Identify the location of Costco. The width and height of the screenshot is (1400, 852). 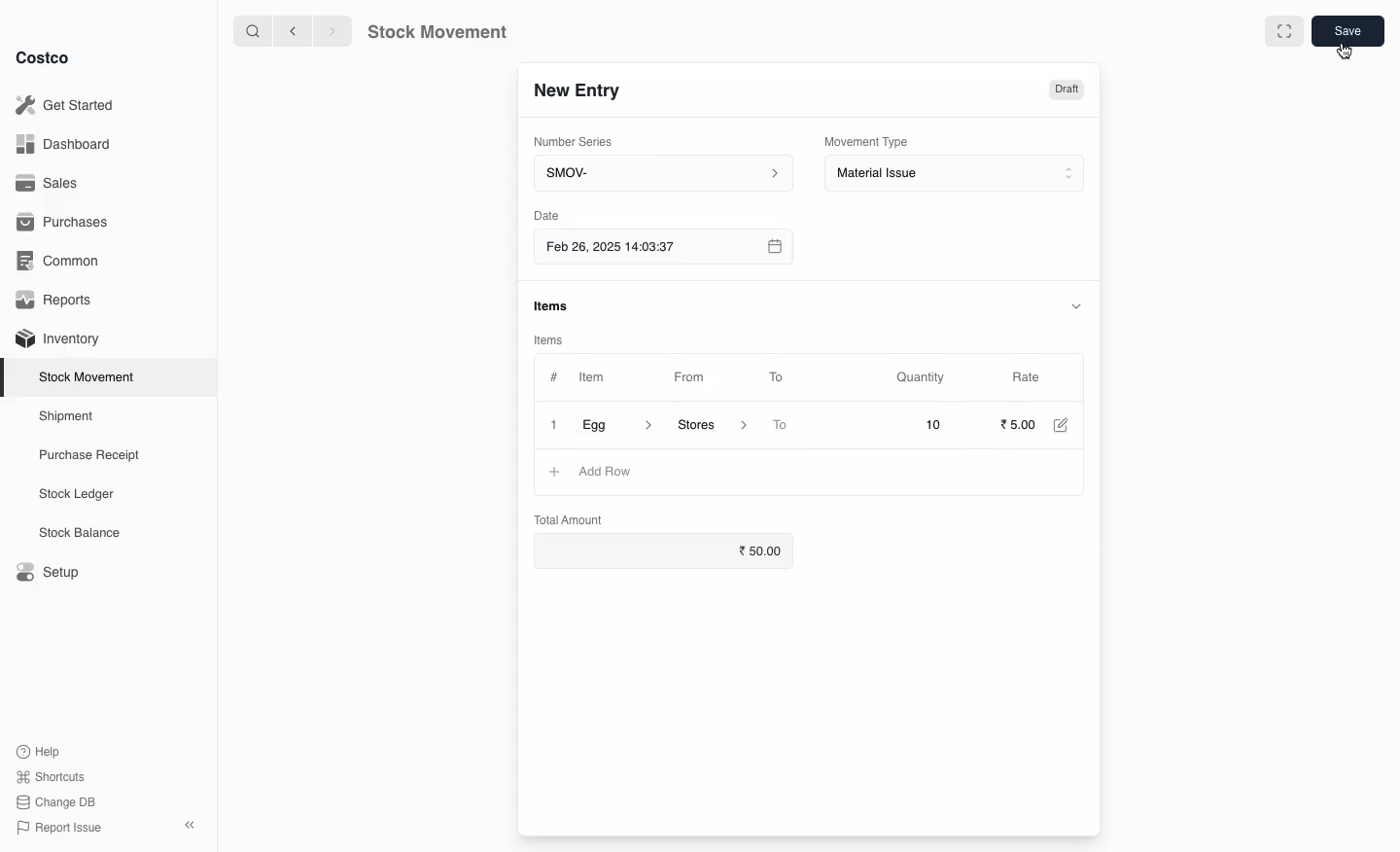
(44, 58).